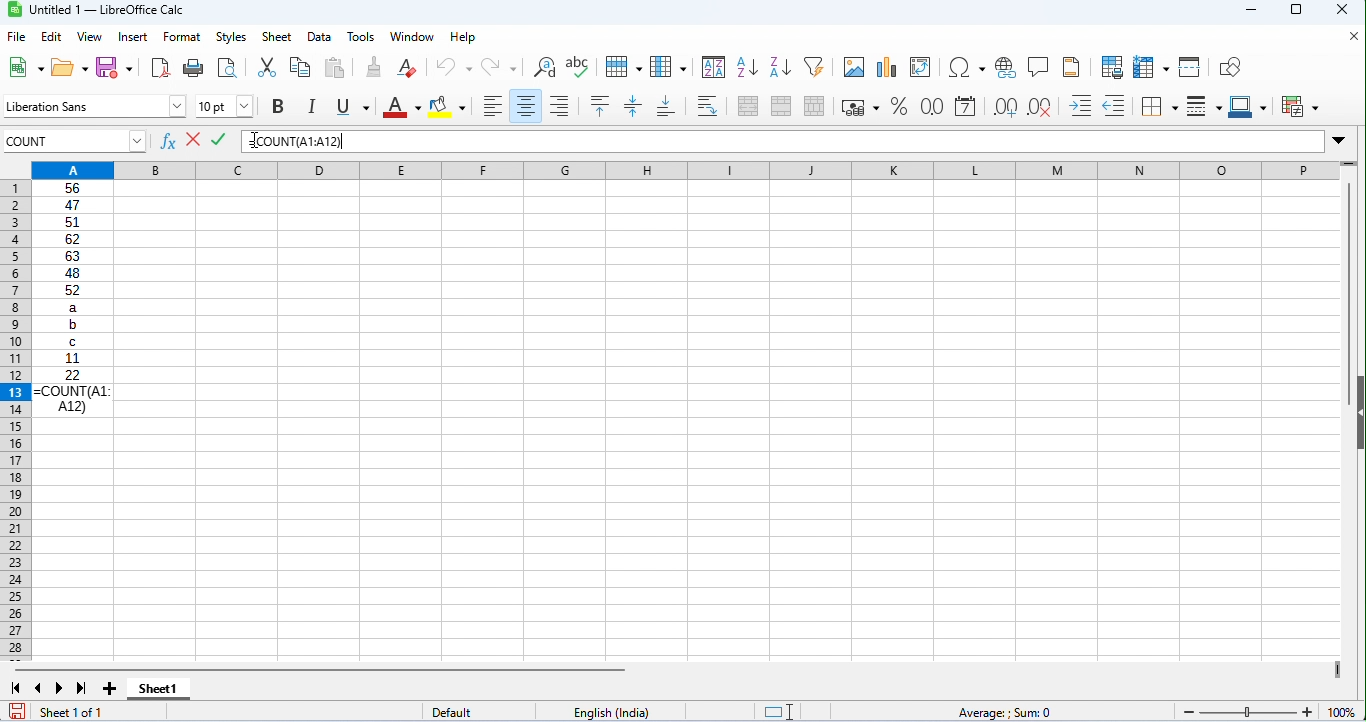 Image resolution: width=1366 pixels, height=722 pixels. Describe the element at coordinates (16, 688) in the screenshot. I see `first sheet` at that location.